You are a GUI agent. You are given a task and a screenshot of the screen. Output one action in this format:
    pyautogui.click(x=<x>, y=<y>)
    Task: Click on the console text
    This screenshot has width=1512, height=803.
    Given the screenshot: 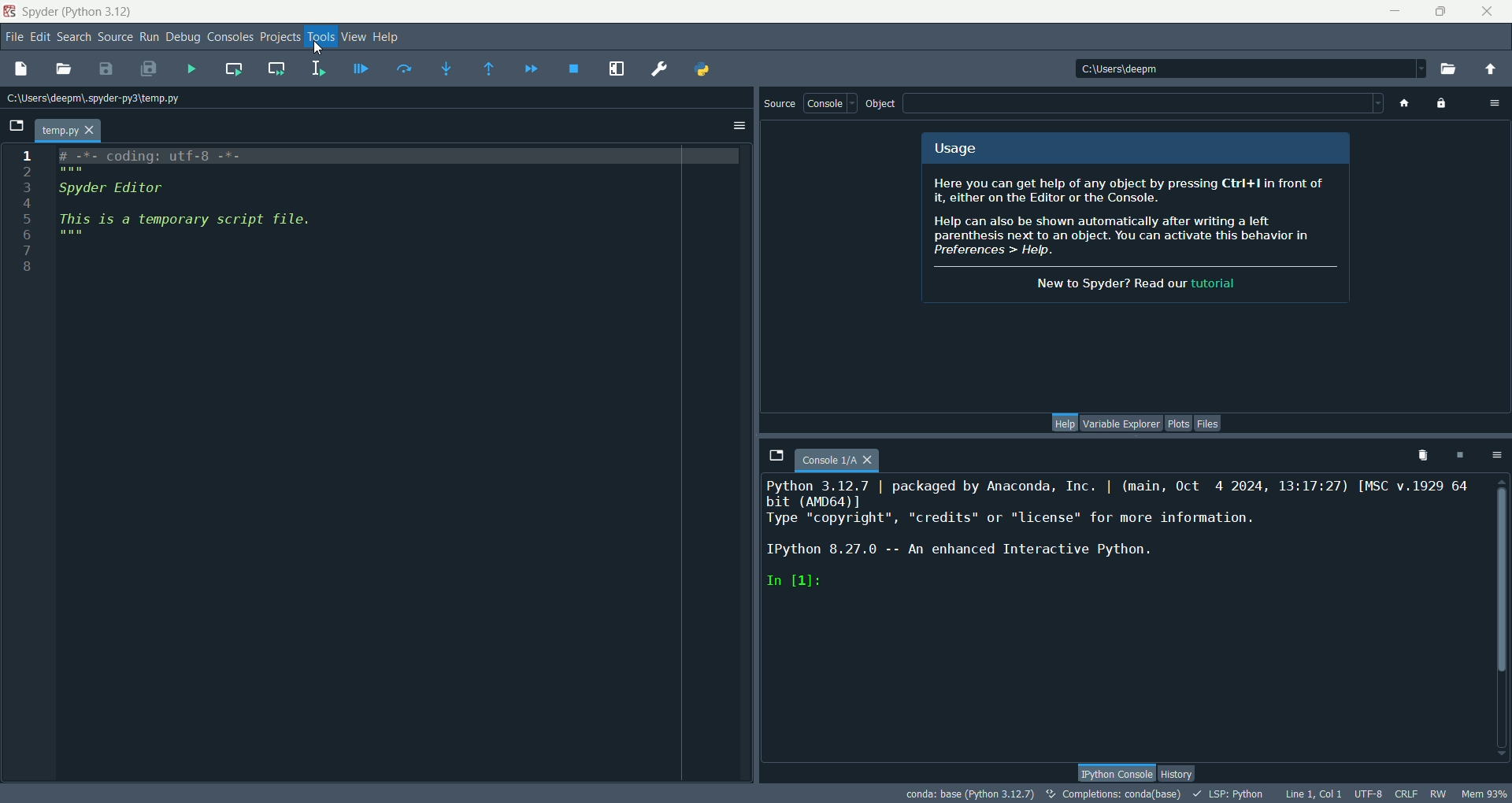 What is the action you would take?
    pyautogui.click(x=1121, y=545)
    